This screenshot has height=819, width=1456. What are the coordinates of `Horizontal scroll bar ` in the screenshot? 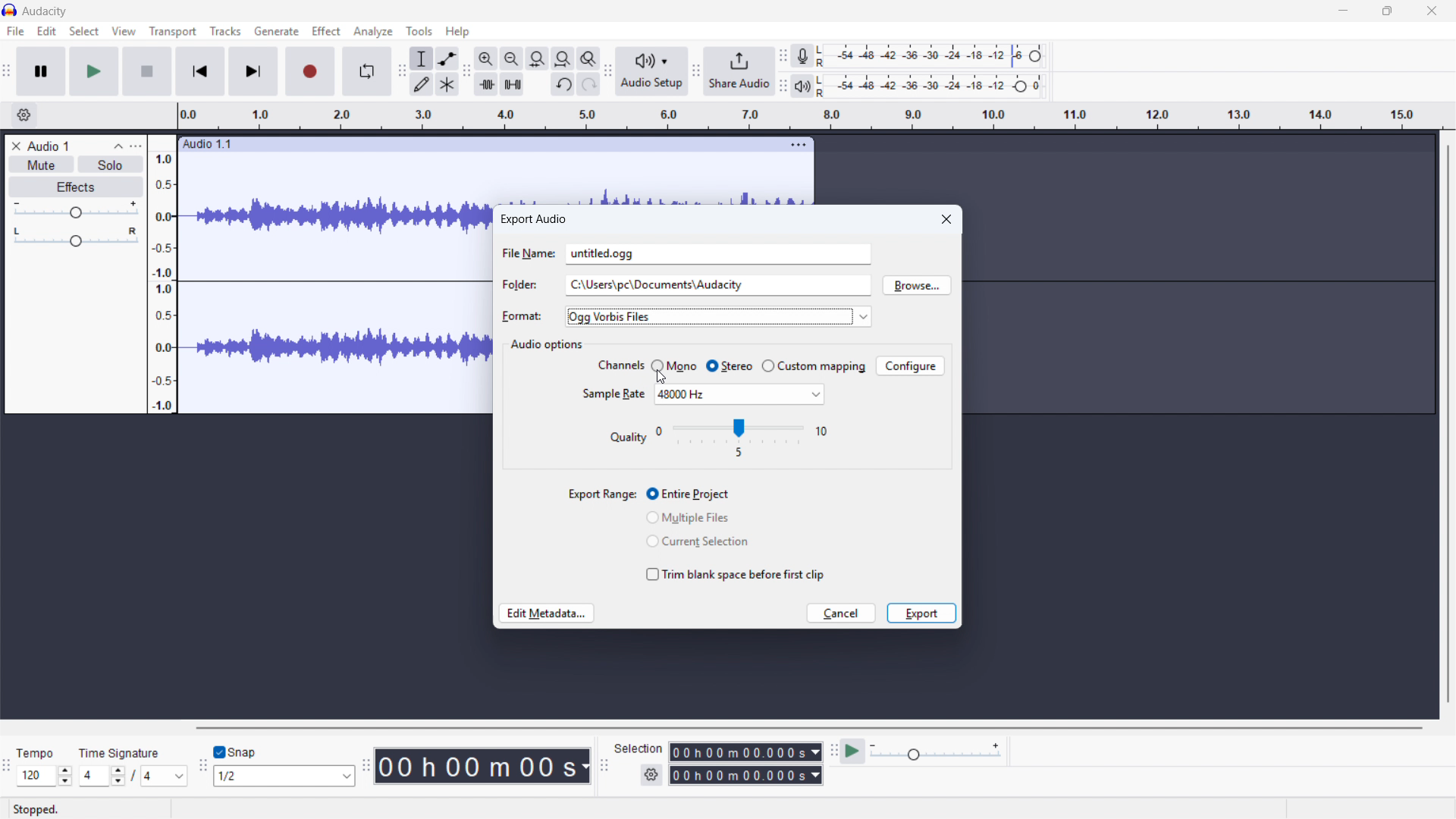 It's located at (807, 728).